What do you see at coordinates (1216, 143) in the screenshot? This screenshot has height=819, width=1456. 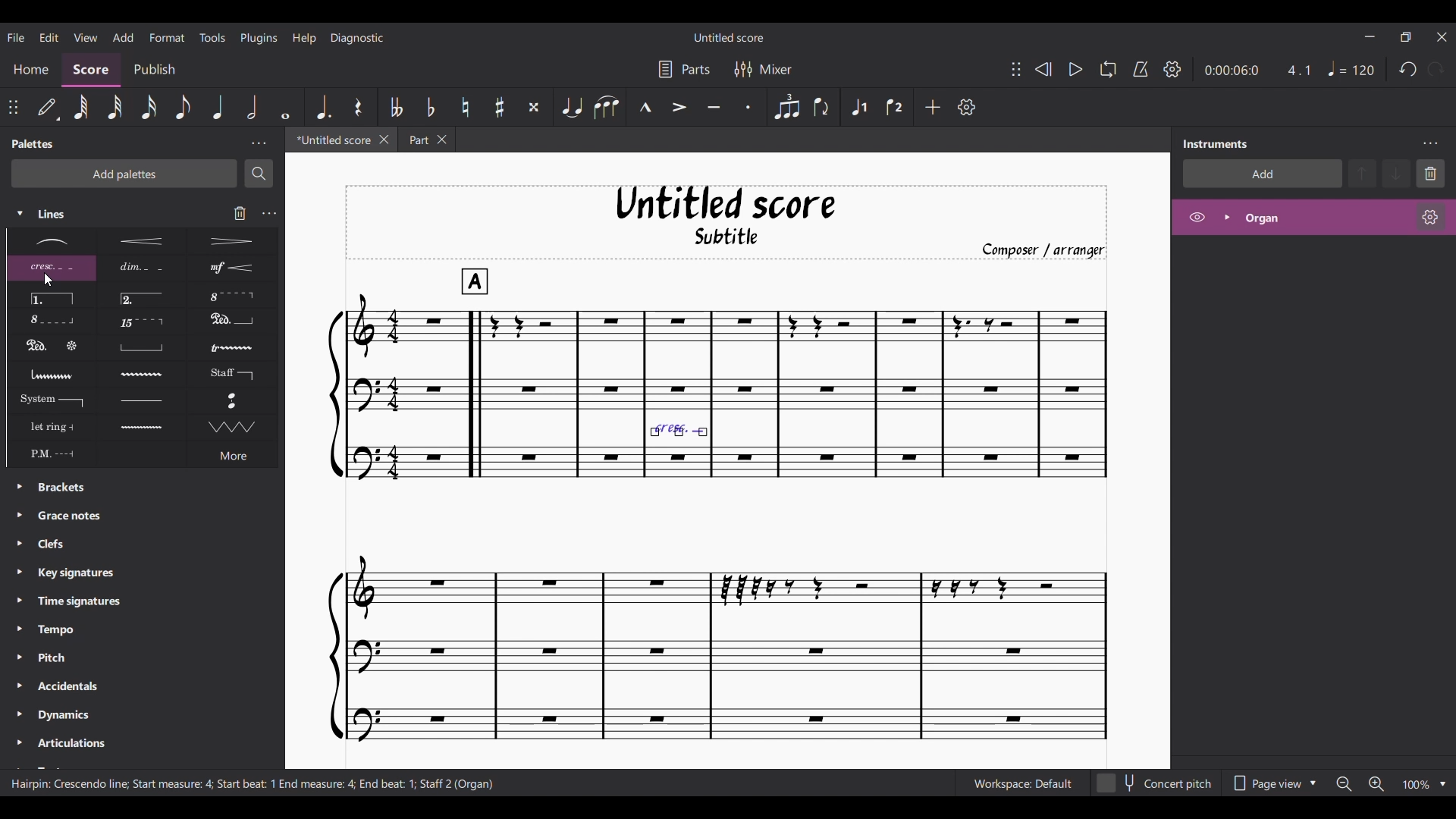 I see `Panel title` at bounding box center [1216, 143].